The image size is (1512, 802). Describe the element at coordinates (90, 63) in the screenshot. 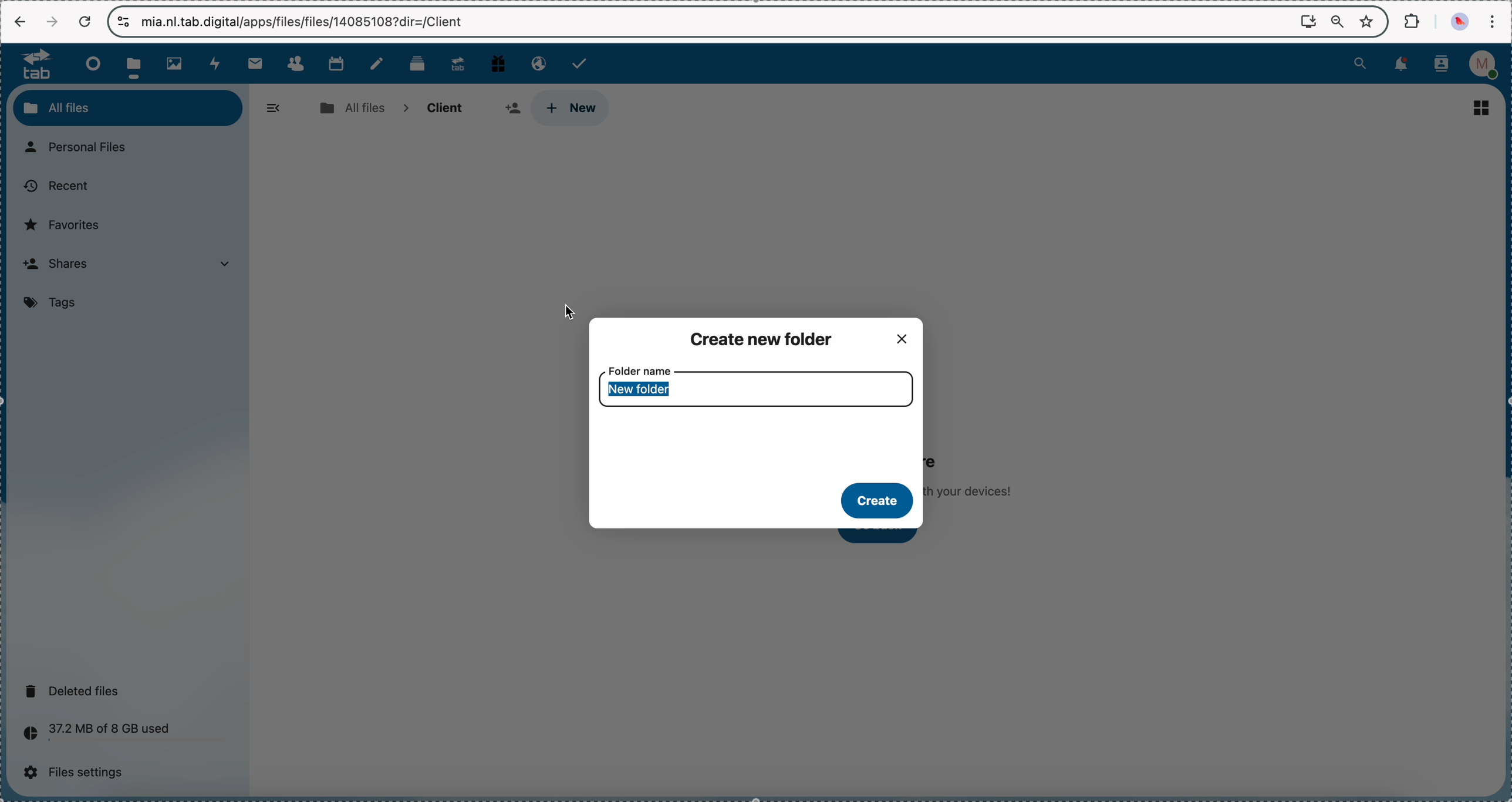

I see `dashboard` at that location.